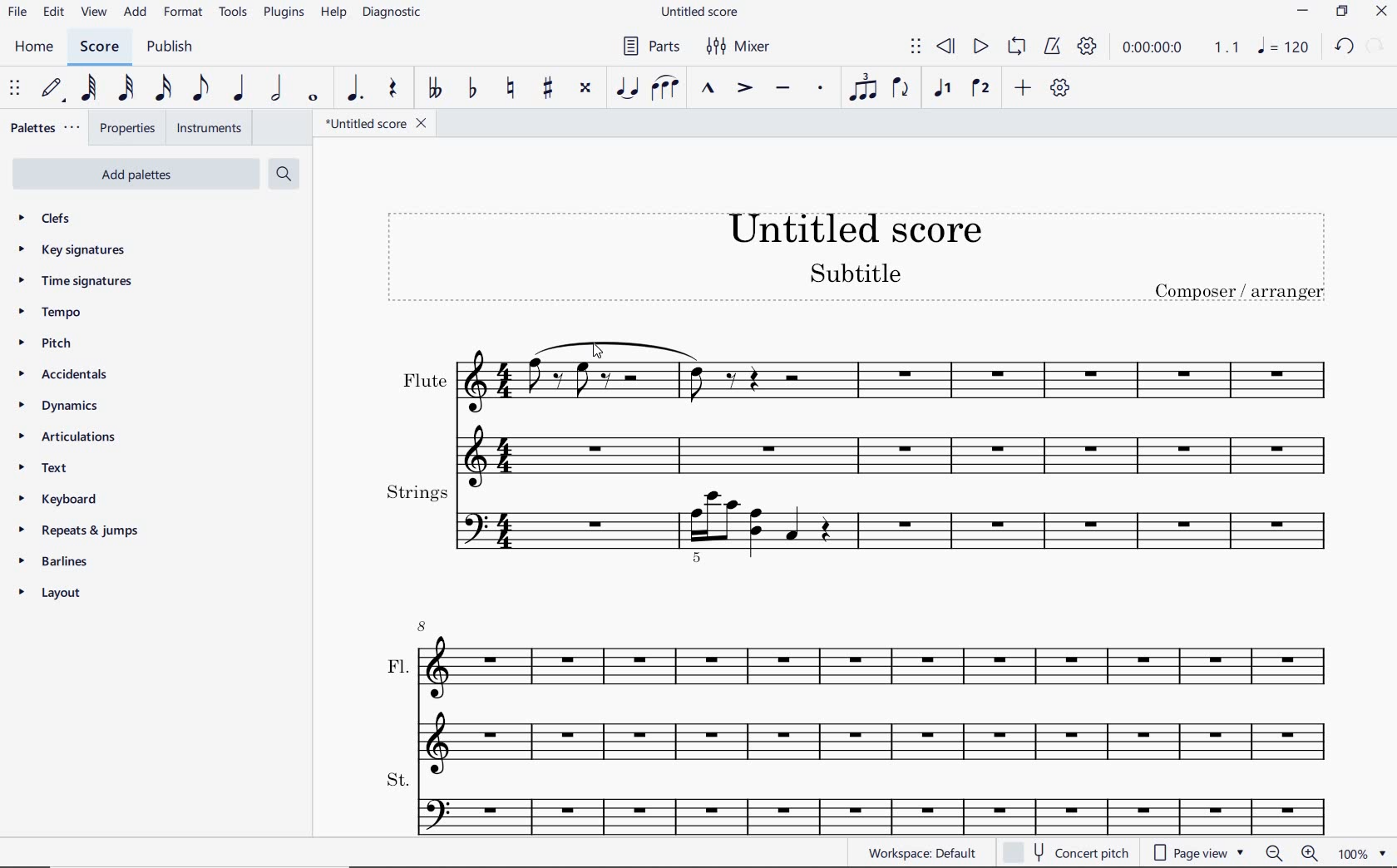  Describe the element at coordinates (709, 89) in the screenshot. I see `MARCATO` at that location.